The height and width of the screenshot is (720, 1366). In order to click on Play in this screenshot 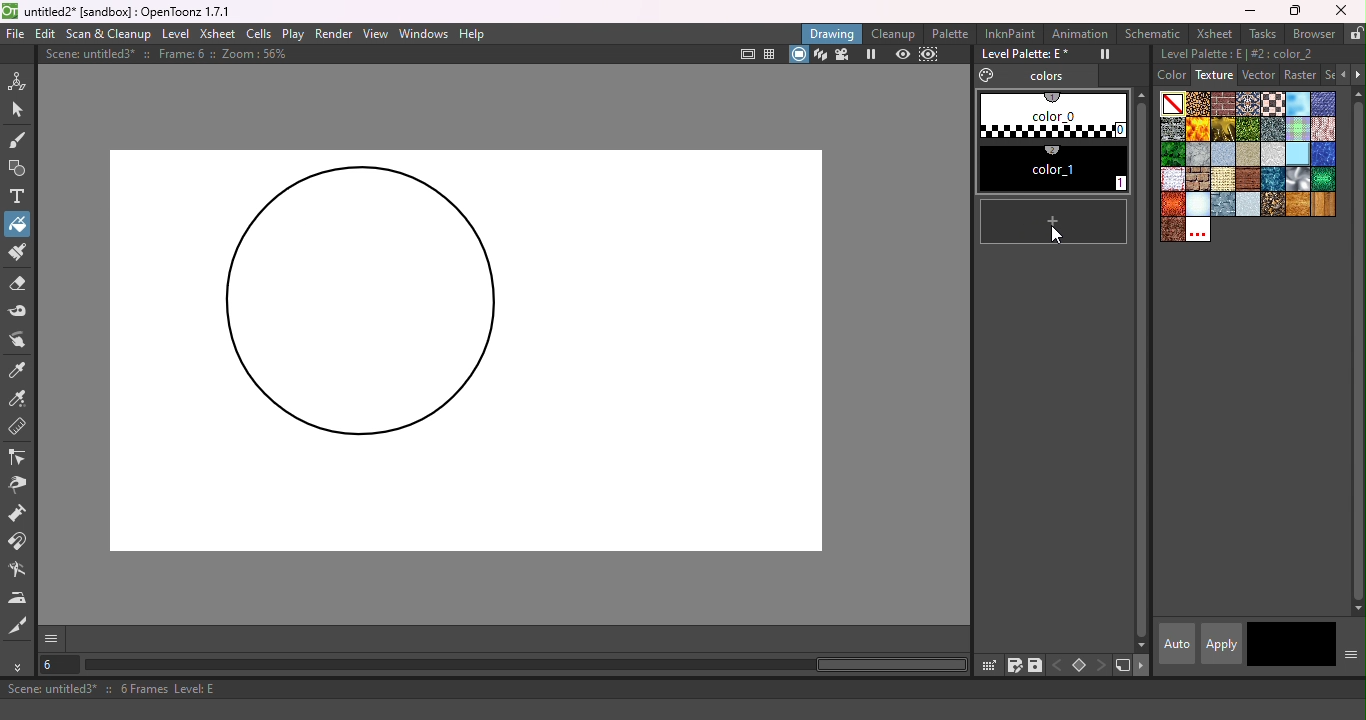, I will do `click(294, 33)`.